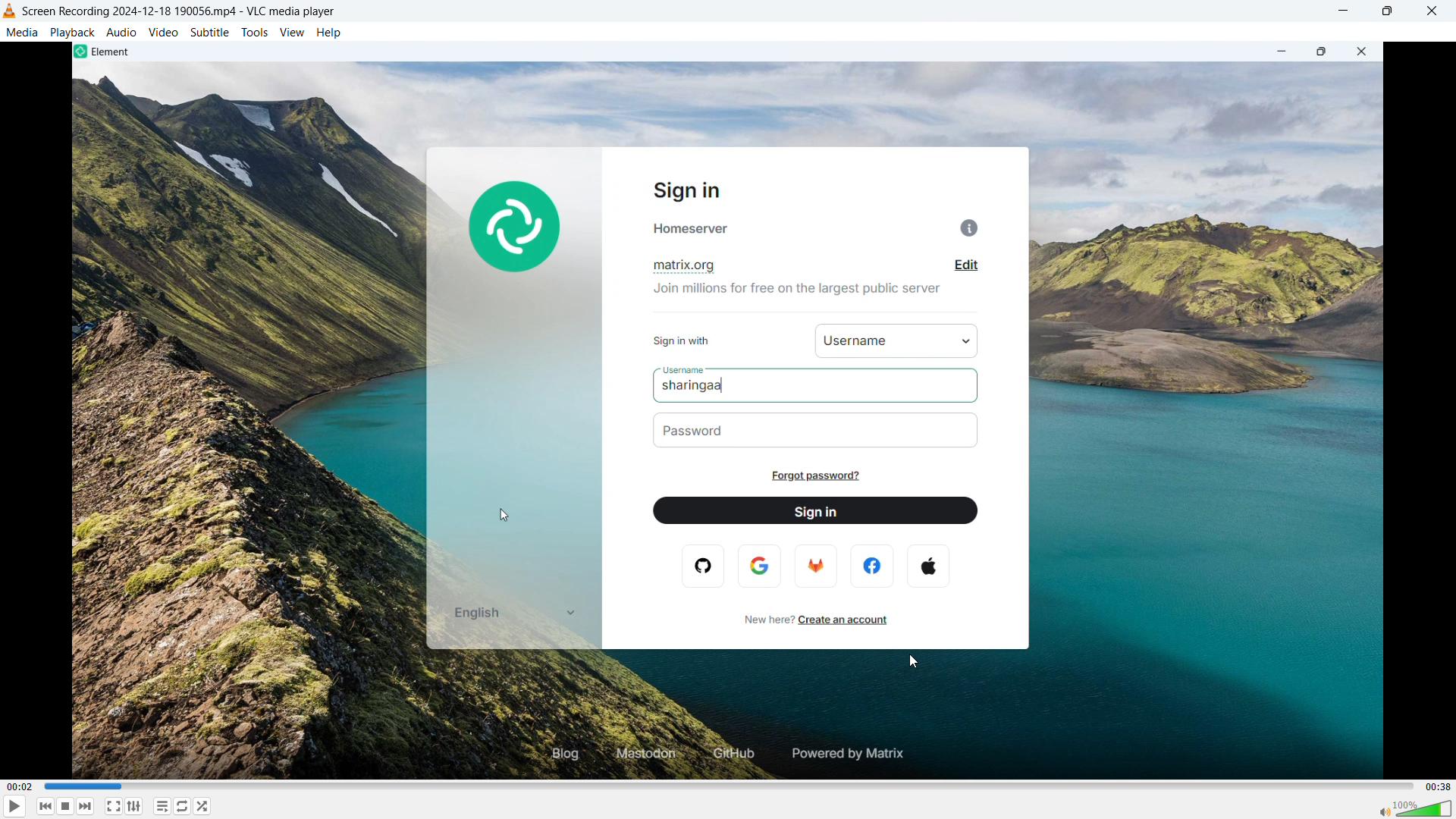  I want to click on cursor, so click(917, 664).